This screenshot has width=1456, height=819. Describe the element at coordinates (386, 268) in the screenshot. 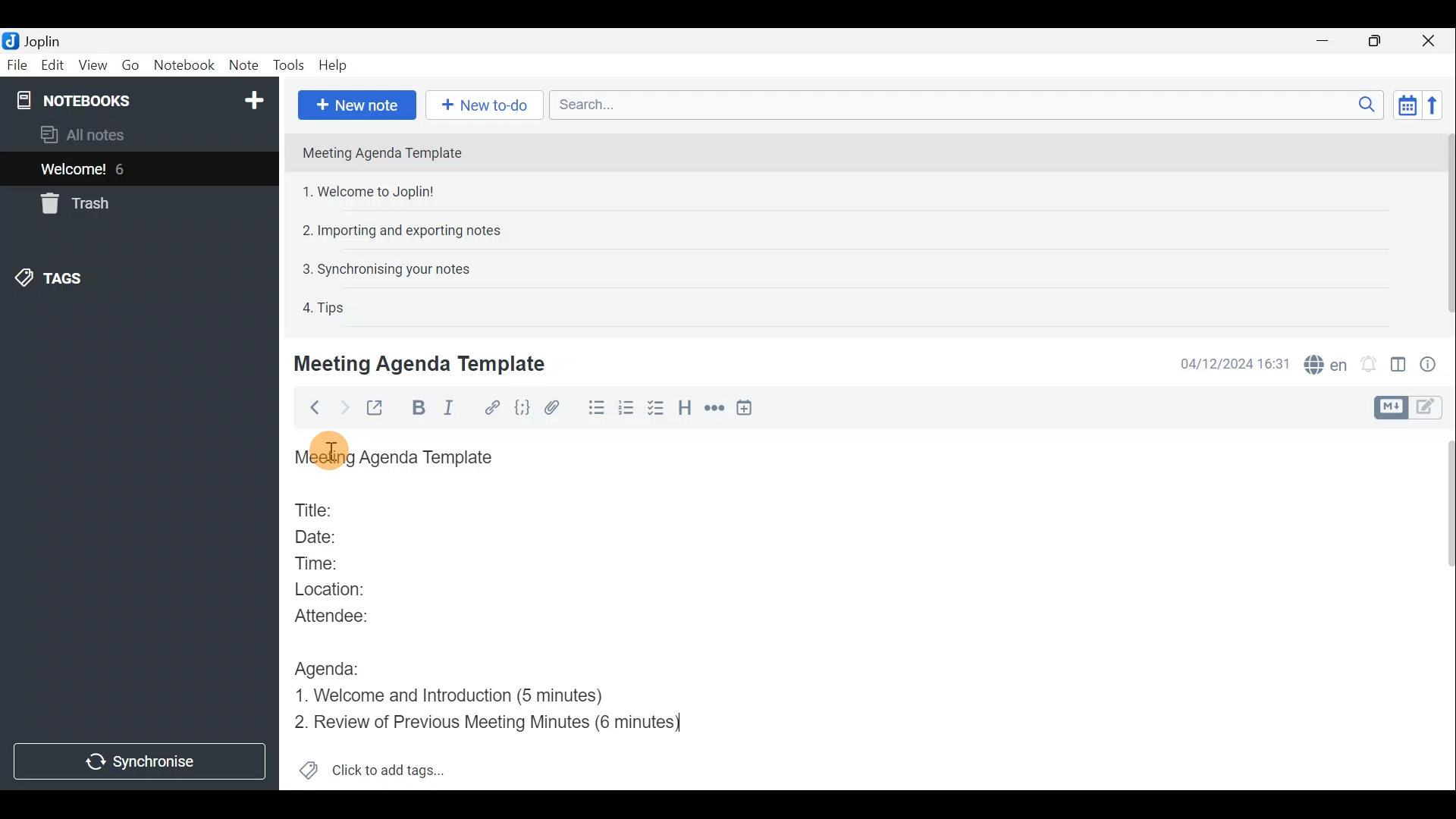

I see `3. Synchronising your notes` at that location.